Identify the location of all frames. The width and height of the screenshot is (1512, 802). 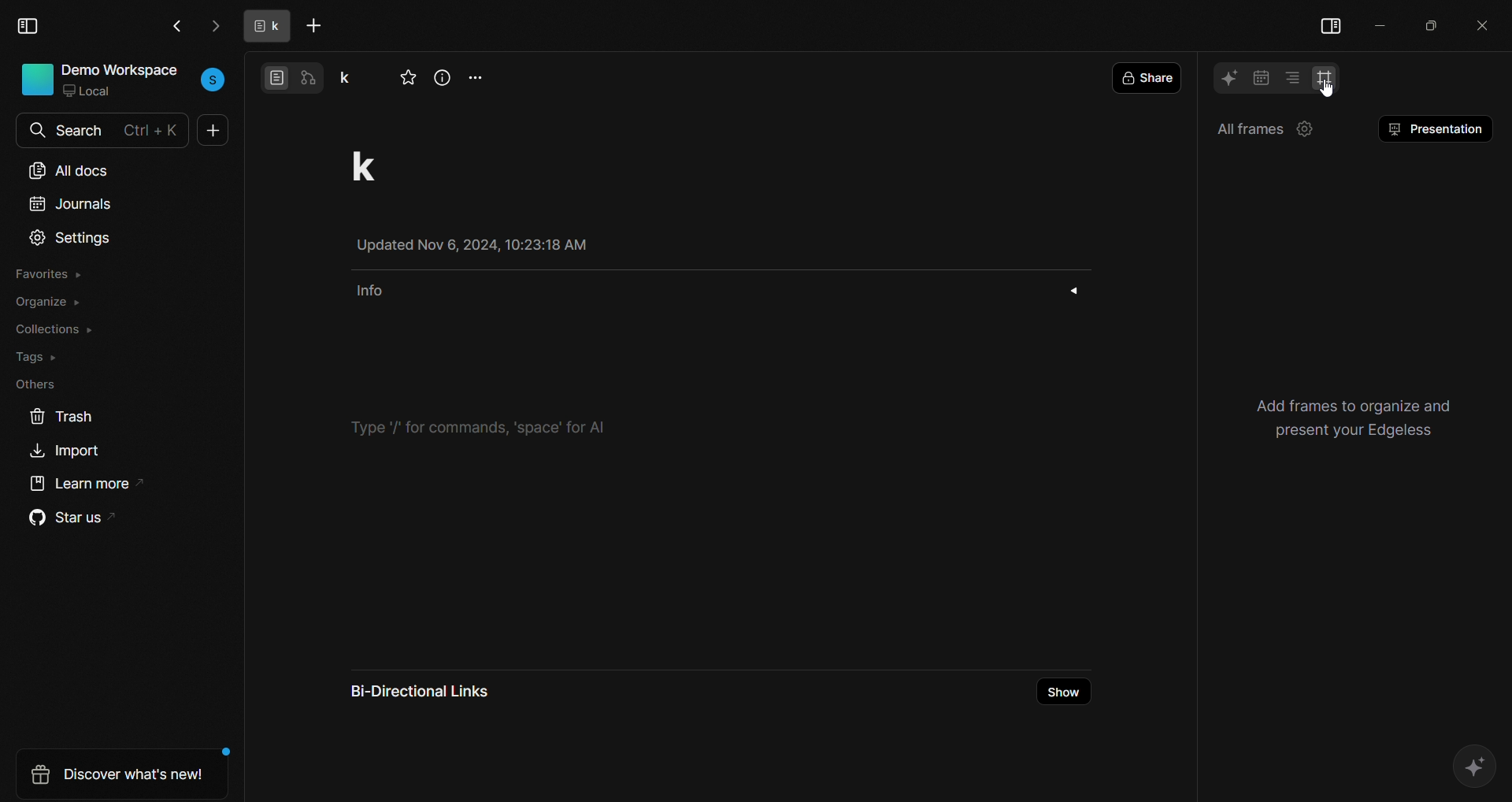
(1247, 128).